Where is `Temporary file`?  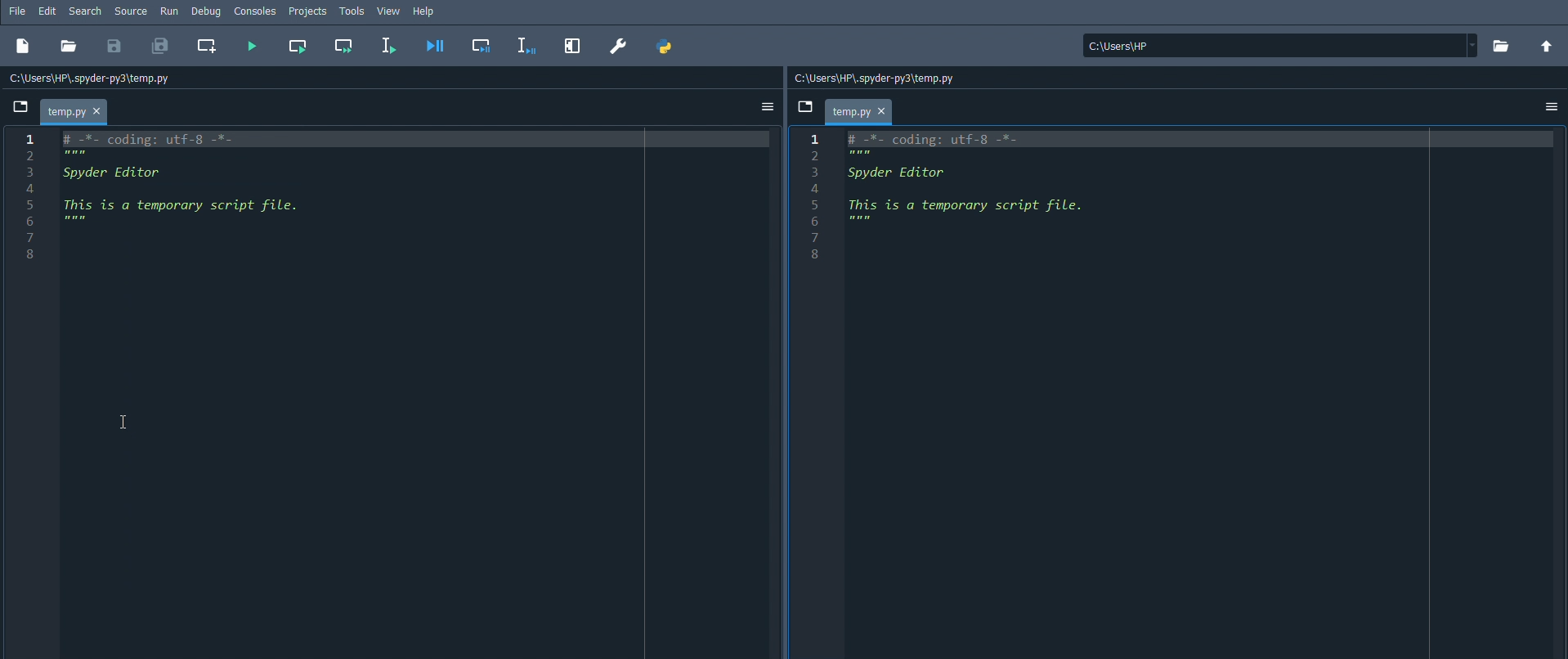 Temporary file is located at coordinates (863, 111).